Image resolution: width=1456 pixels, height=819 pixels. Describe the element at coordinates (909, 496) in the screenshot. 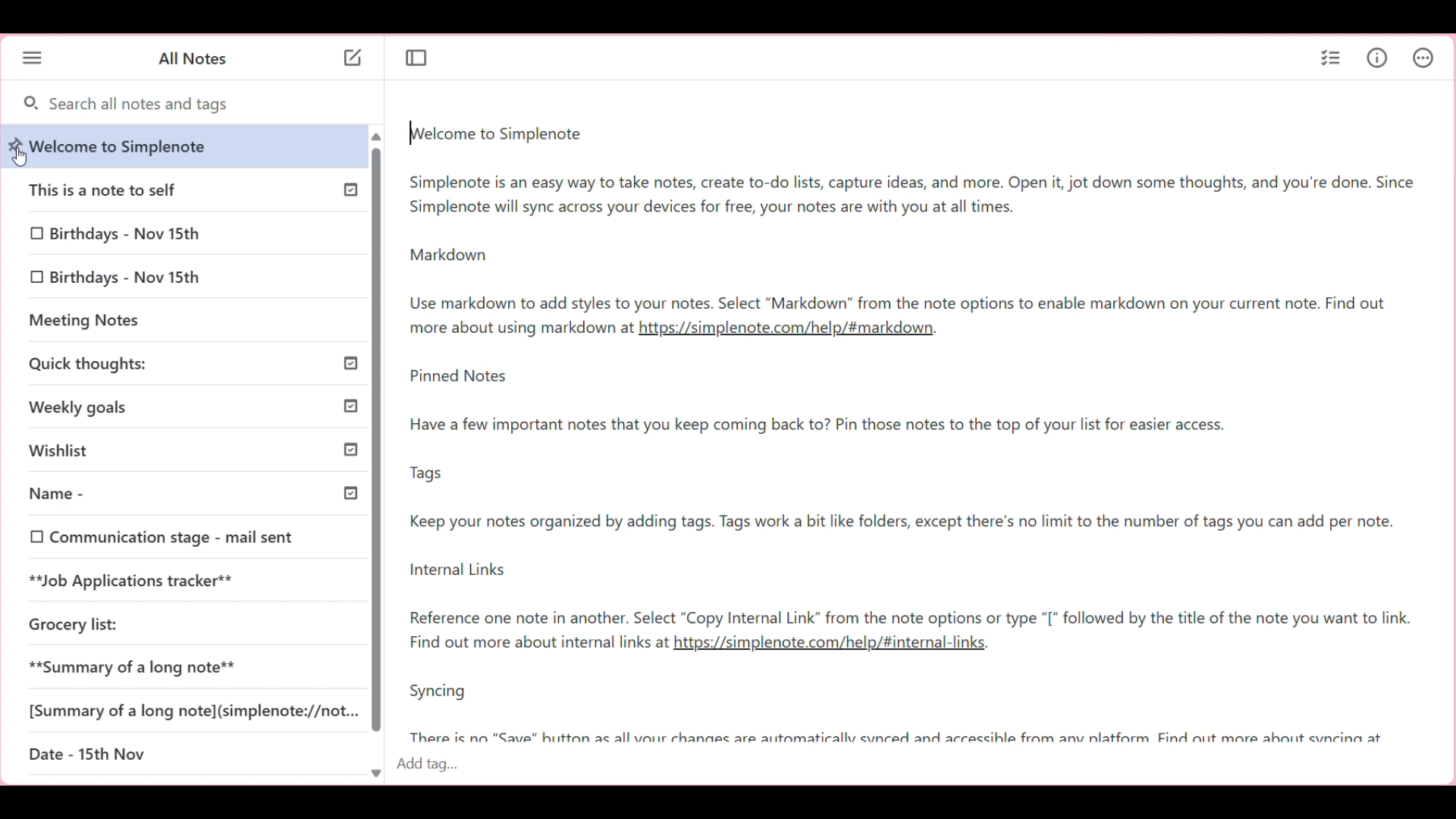

I see `Pinned notes-note2` at that location.